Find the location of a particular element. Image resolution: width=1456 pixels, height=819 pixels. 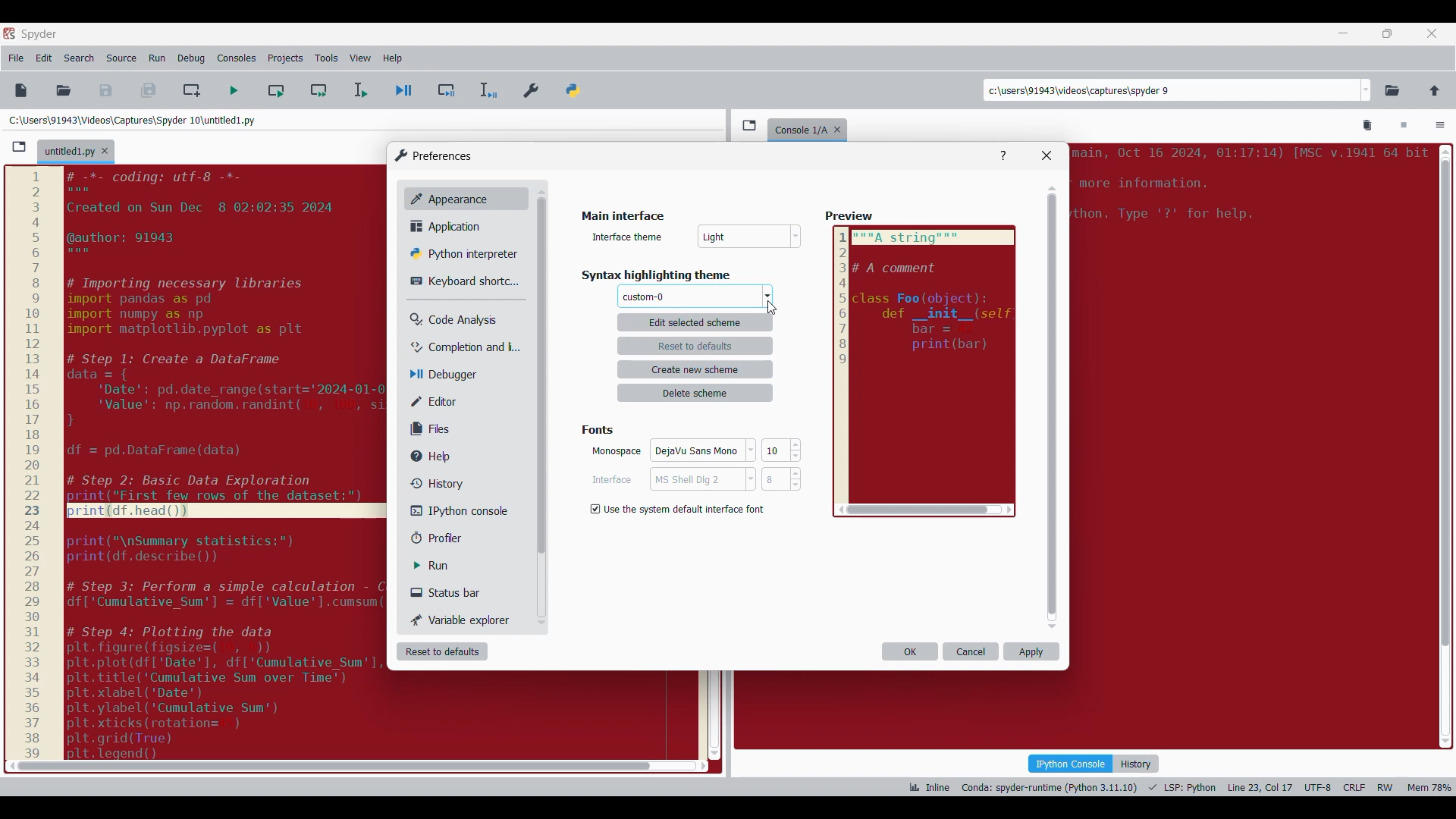

edit selected scheme is located at coordinates (695, 322).